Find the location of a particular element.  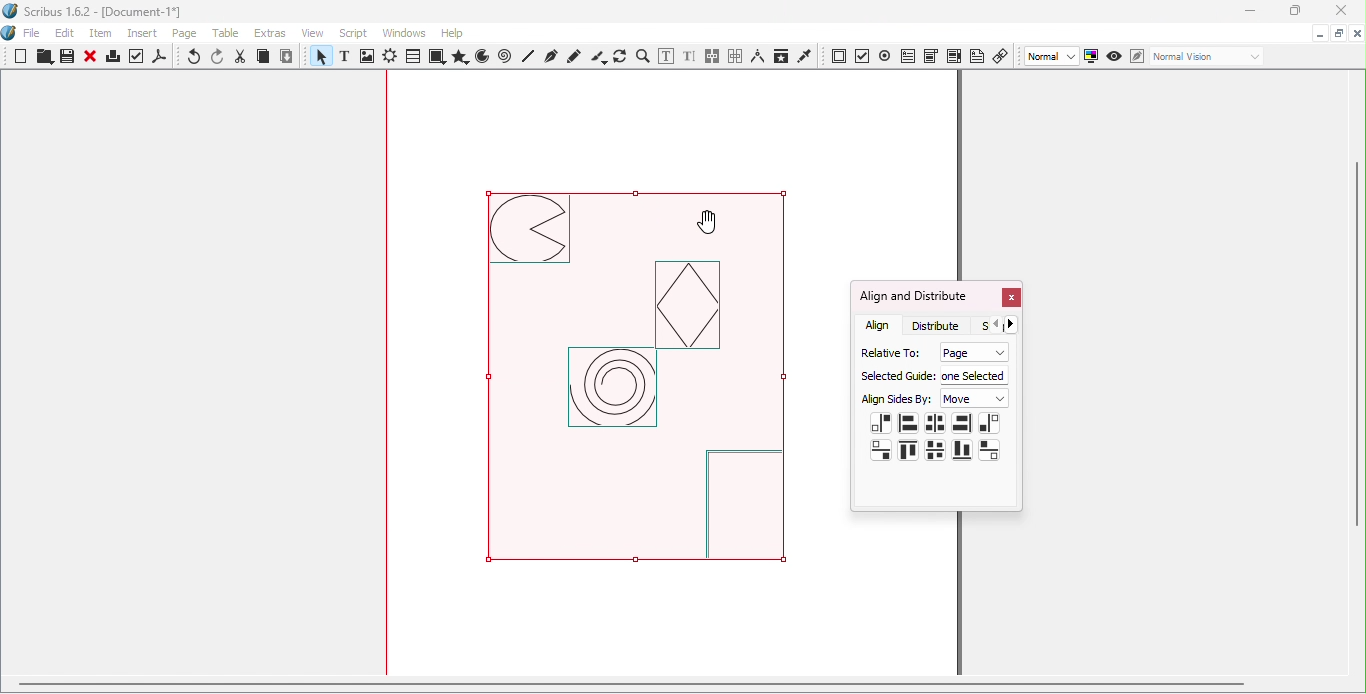

Rotate item is located at coordinates (620, 56).